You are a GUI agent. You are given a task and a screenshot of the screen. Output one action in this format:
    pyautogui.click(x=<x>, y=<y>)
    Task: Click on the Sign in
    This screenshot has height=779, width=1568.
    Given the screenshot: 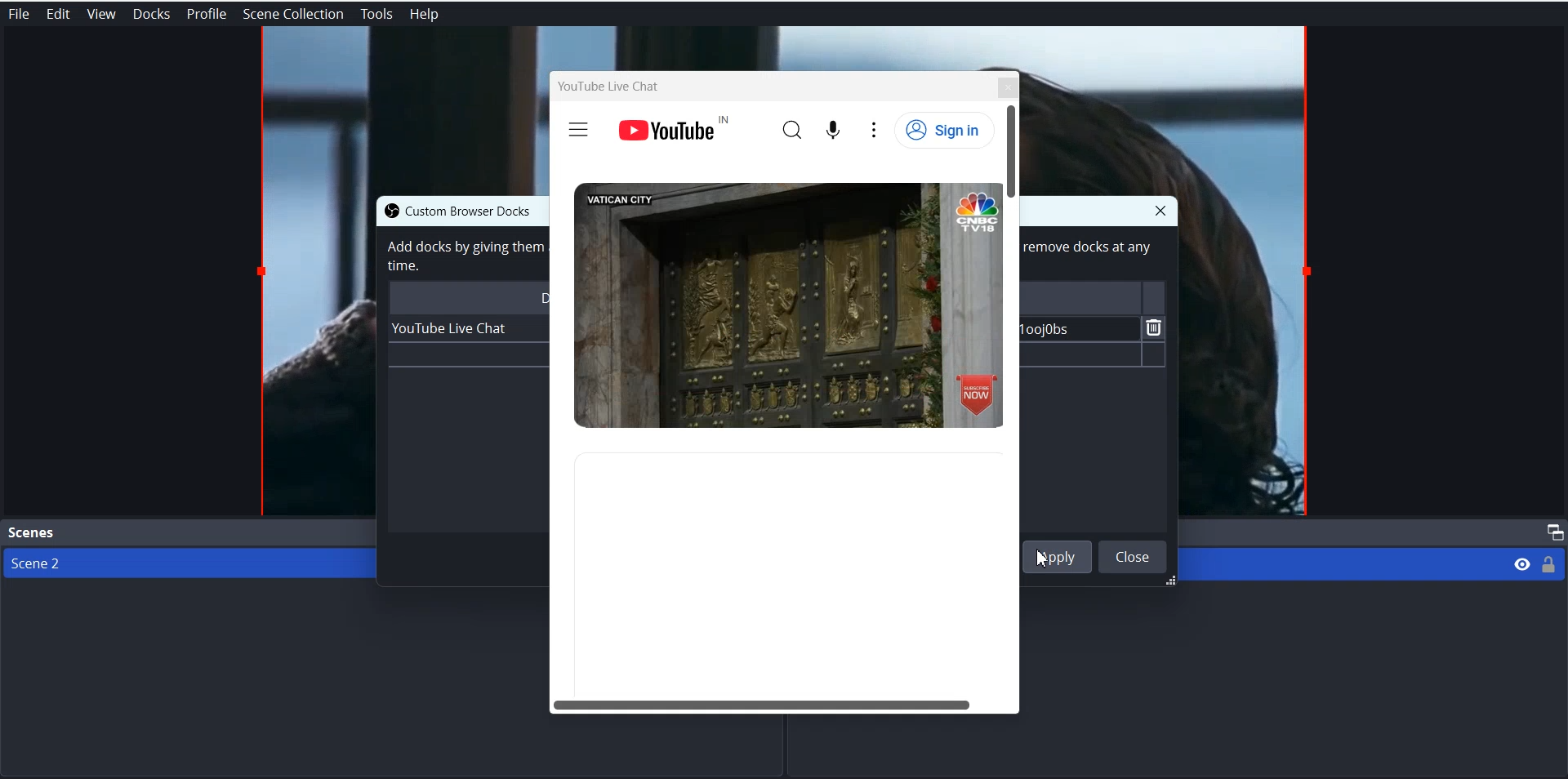 What is the action you would take?
    pyautogui.click(x=945, y=130)
    